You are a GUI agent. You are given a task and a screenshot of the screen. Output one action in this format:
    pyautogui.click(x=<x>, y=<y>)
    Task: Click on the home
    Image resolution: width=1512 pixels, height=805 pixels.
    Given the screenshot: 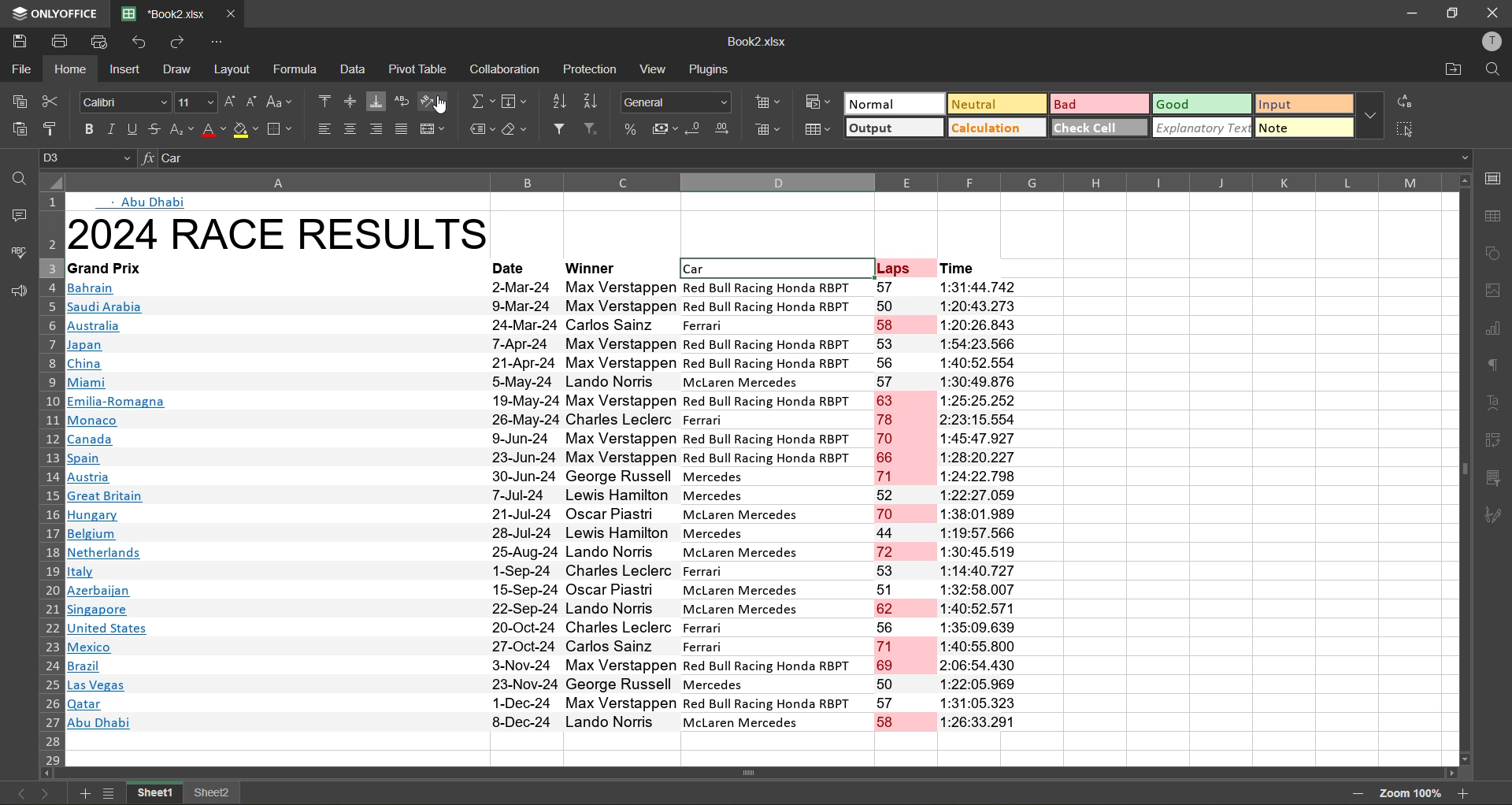 What is the action you would take?
    pyautogui.click(x=70, y=73)
    